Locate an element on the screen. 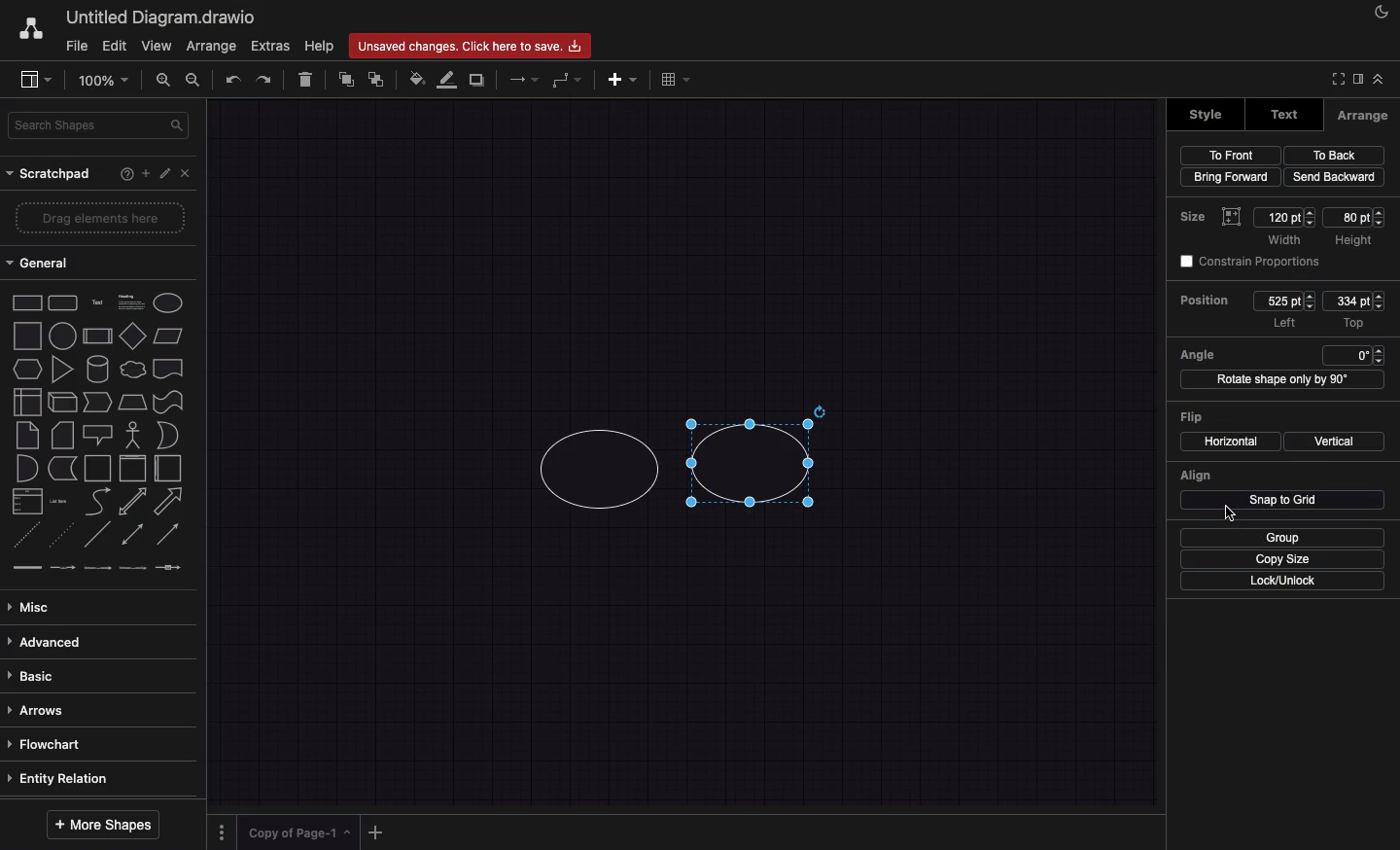 The width and height of the screenshot is (1400, 850). cube is located at coordinates (60, 402).